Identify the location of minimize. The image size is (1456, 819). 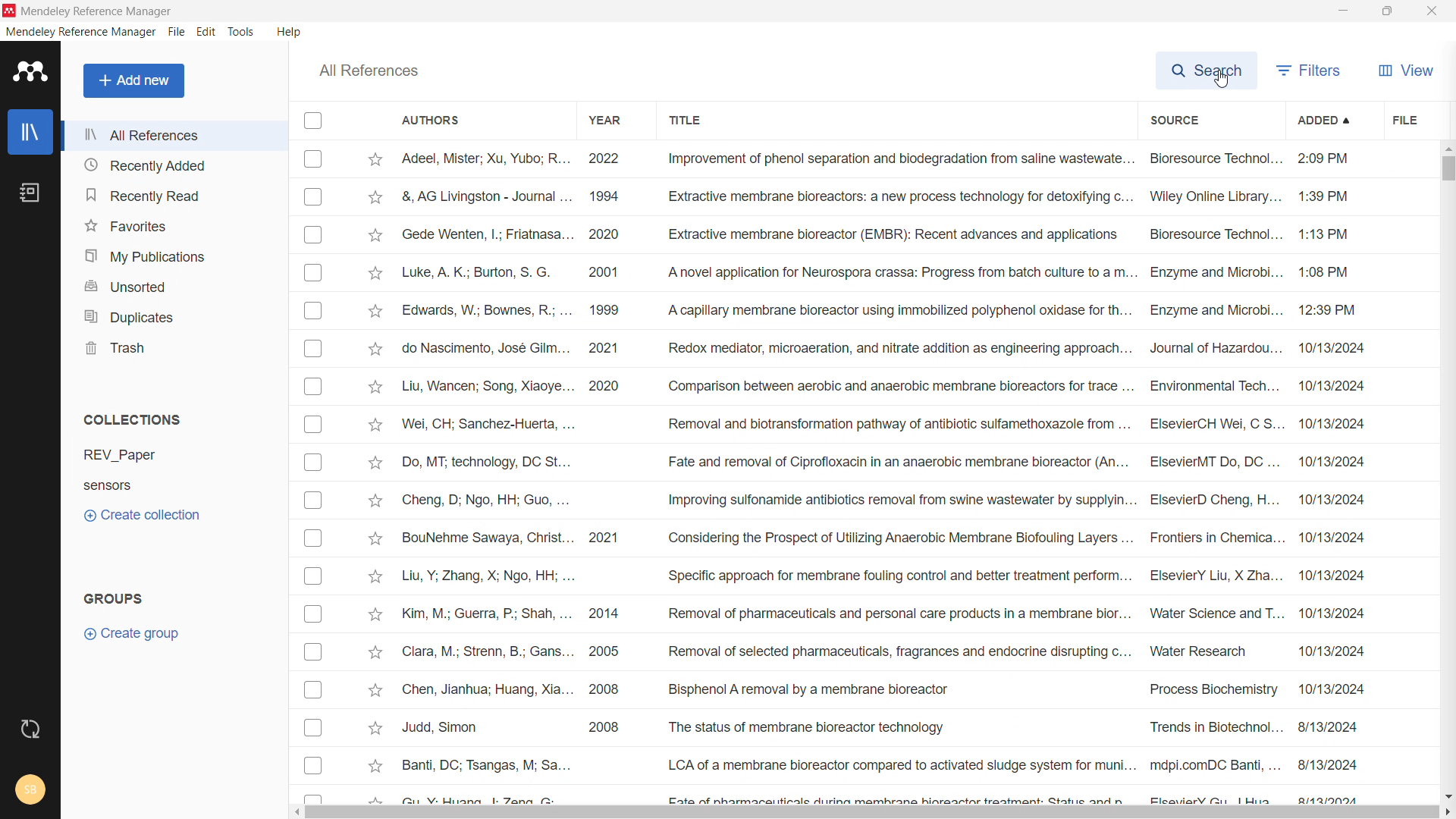
(1342, 10).